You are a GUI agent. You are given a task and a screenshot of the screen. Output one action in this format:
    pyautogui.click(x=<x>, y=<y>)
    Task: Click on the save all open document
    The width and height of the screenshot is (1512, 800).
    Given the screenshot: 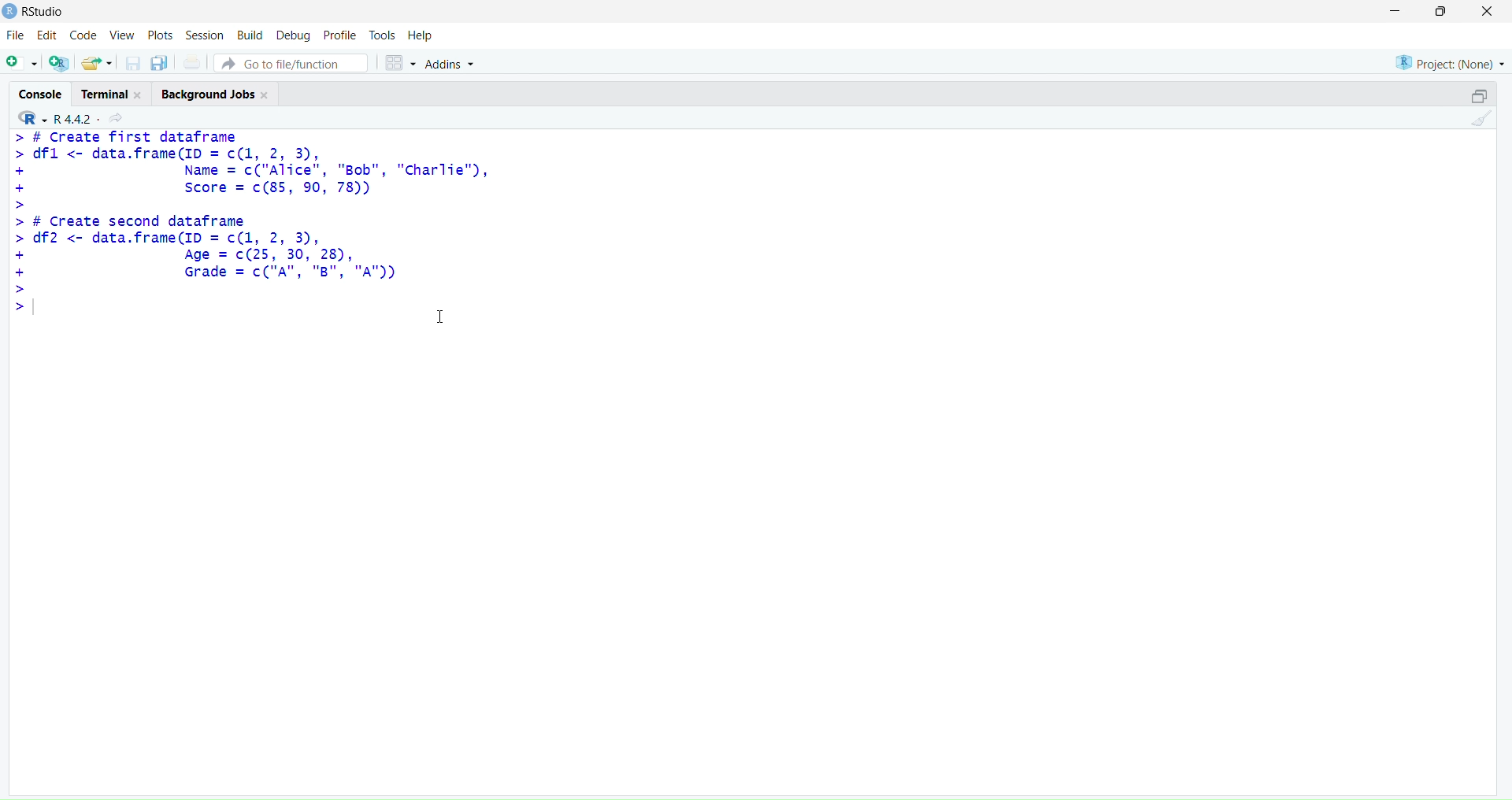 What is the action you would take?
    pyautogui.click(x=161, y=64)
    